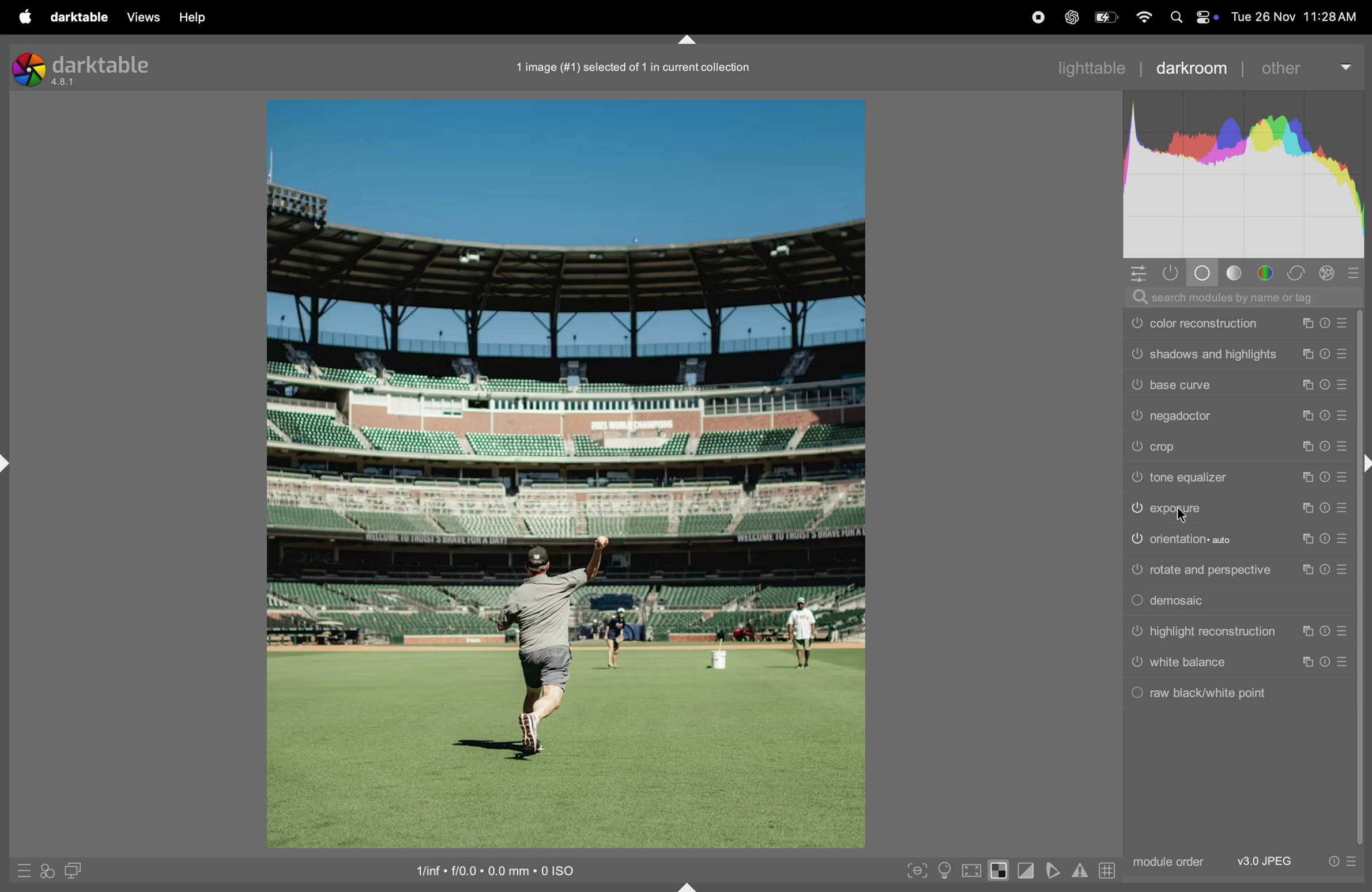  What do you see at coordinates (1325, 354) in the screenshot?
I see `reset presets` at bounding box center [1325, 354].